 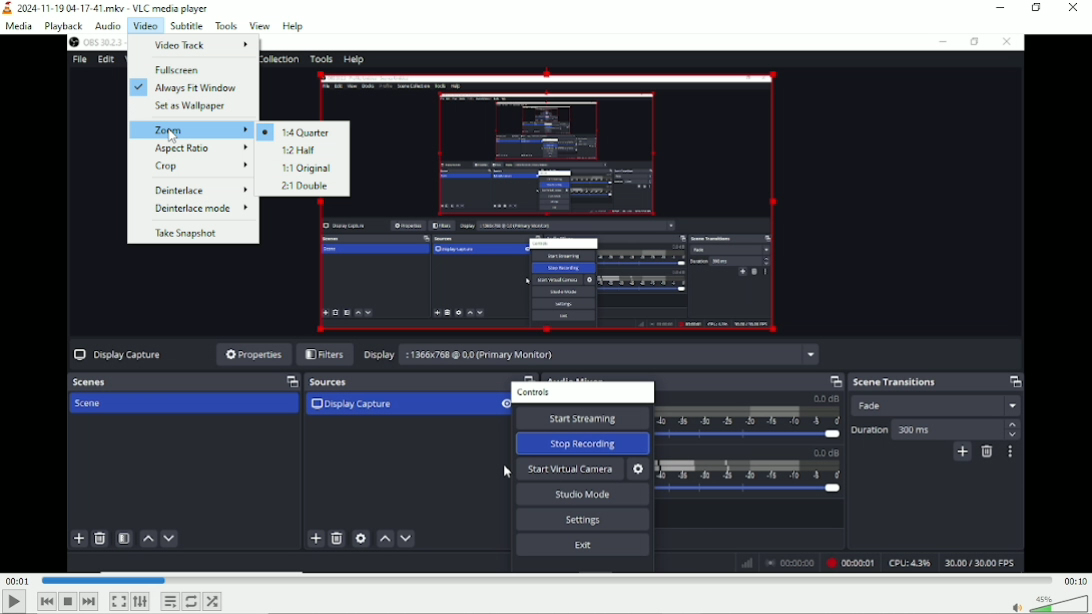 I want to click on Always fit window, so click(x=186, y=86).